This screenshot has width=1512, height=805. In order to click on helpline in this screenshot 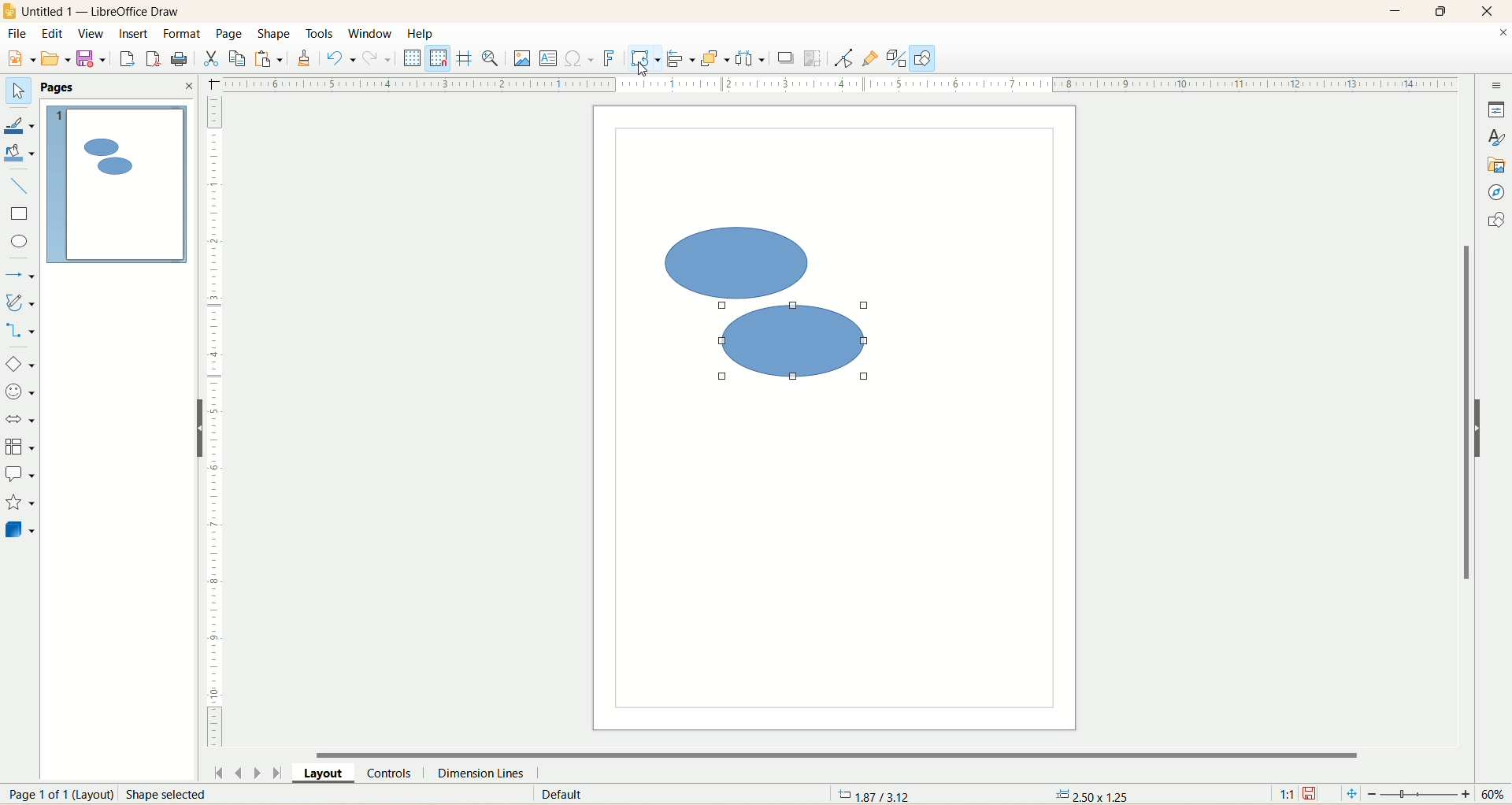, I will do `click(465, 60)`.